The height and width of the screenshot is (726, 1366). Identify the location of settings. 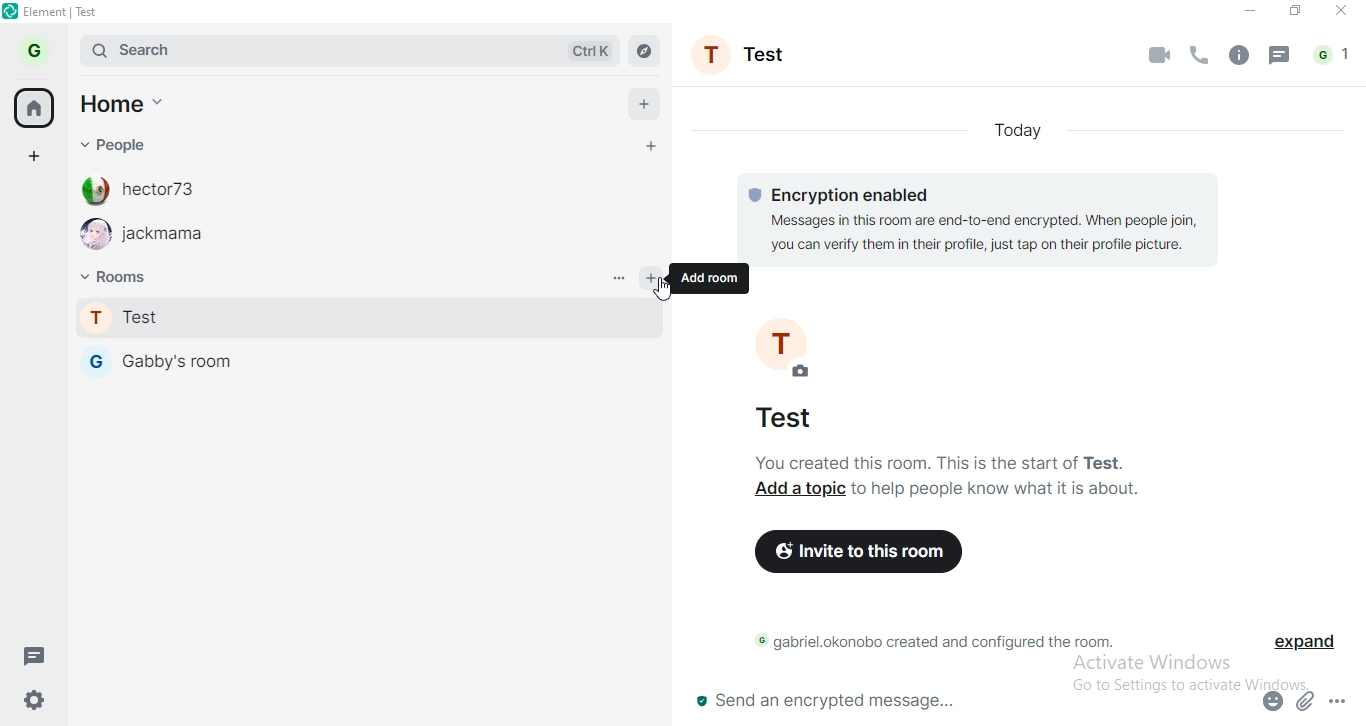
(40, 705).